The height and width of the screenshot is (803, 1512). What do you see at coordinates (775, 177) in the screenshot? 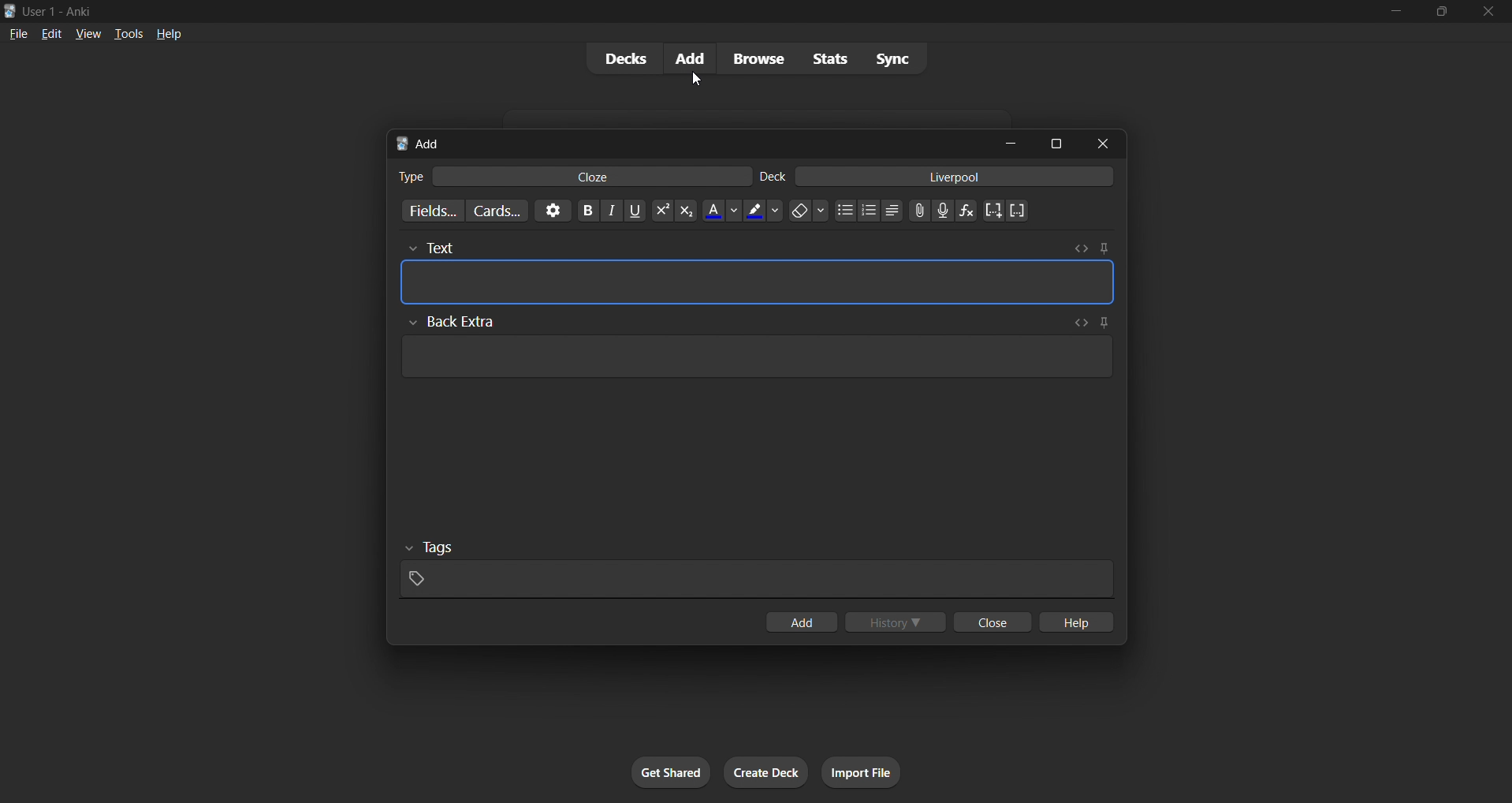
I see `deck name` at bounding box center [775, 177].